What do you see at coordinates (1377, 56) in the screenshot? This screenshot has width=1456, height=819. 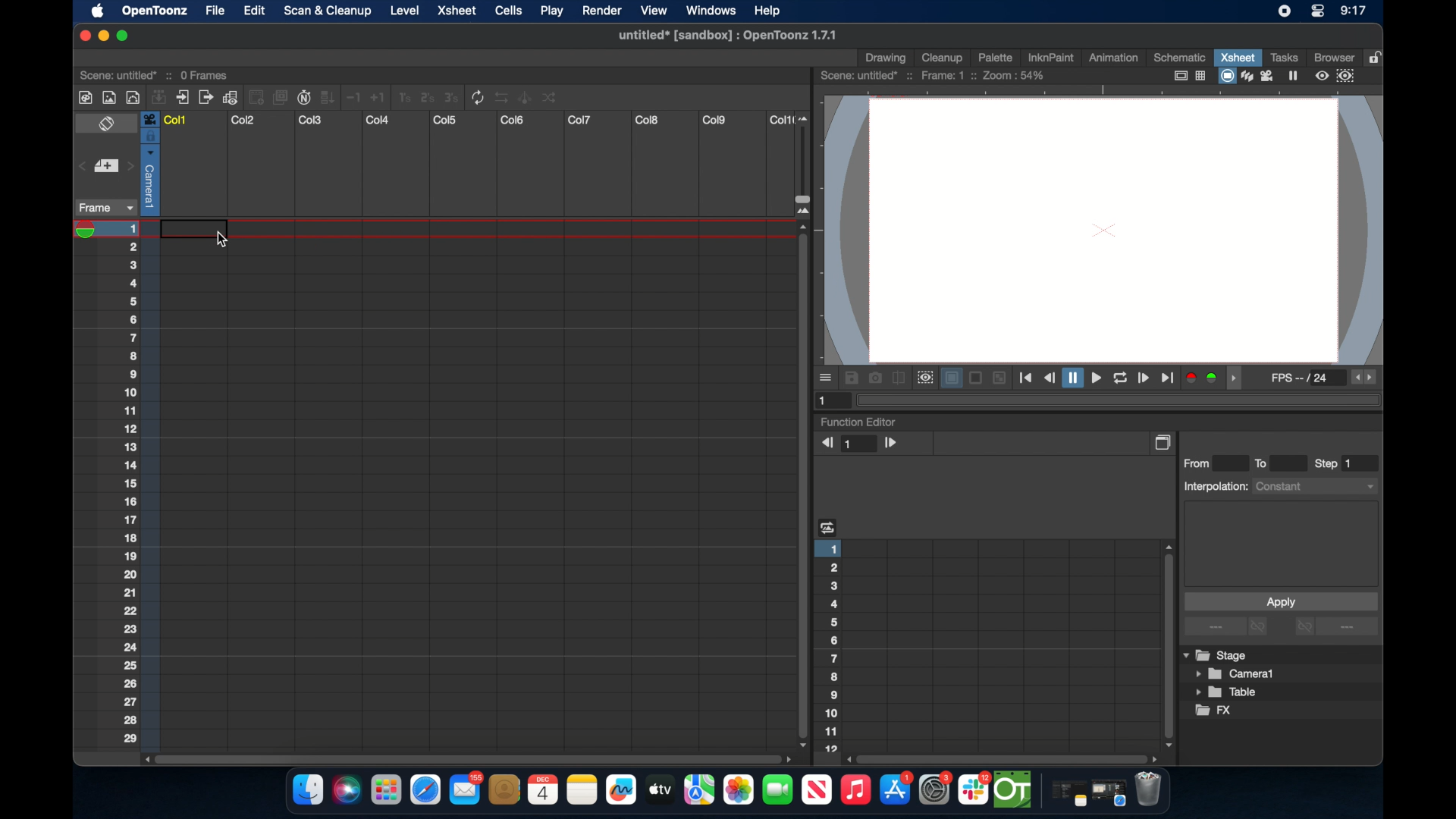 I see `lock` at bounding box center [1377, 56].